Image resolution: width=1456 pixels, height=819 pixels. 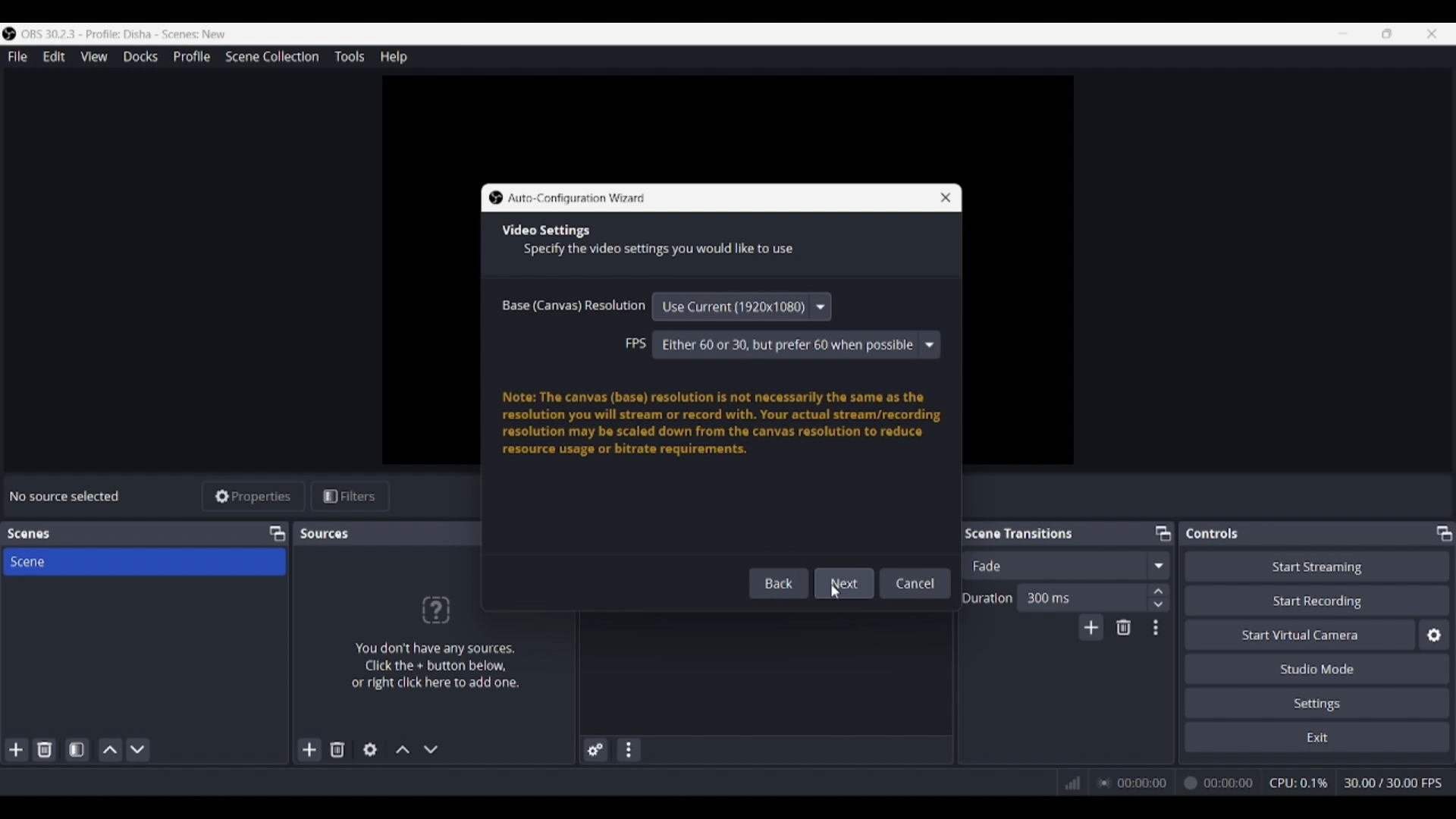 What do you see at coordinates (350, 497) in the screenshot?
I see `Filters` at bounding box center [350, 497].